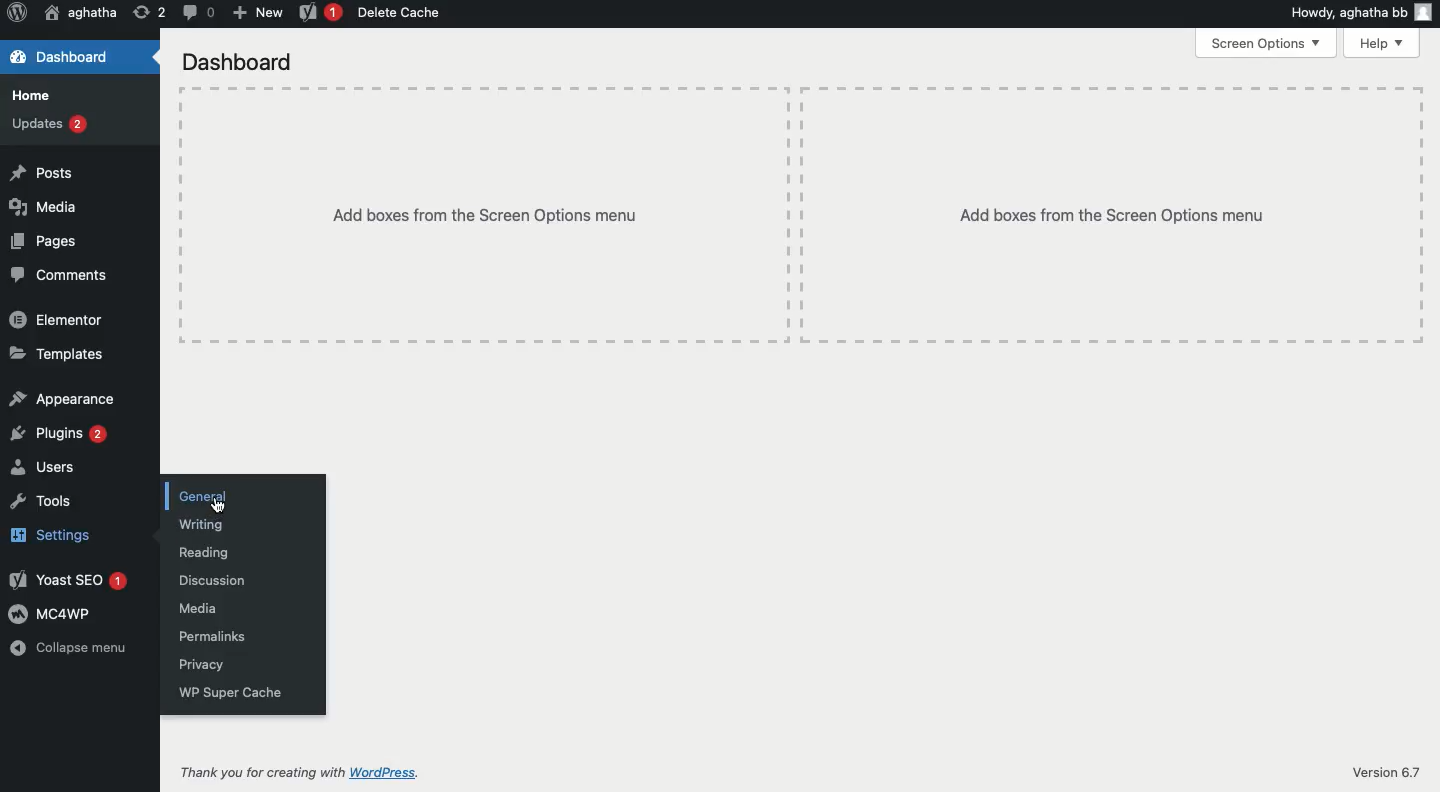 The height and width of the screenshot is (792, 1440). What do you see at coordinates (44, 208) in the screenshot?
I see `Media` at bounding box center [44, 208].